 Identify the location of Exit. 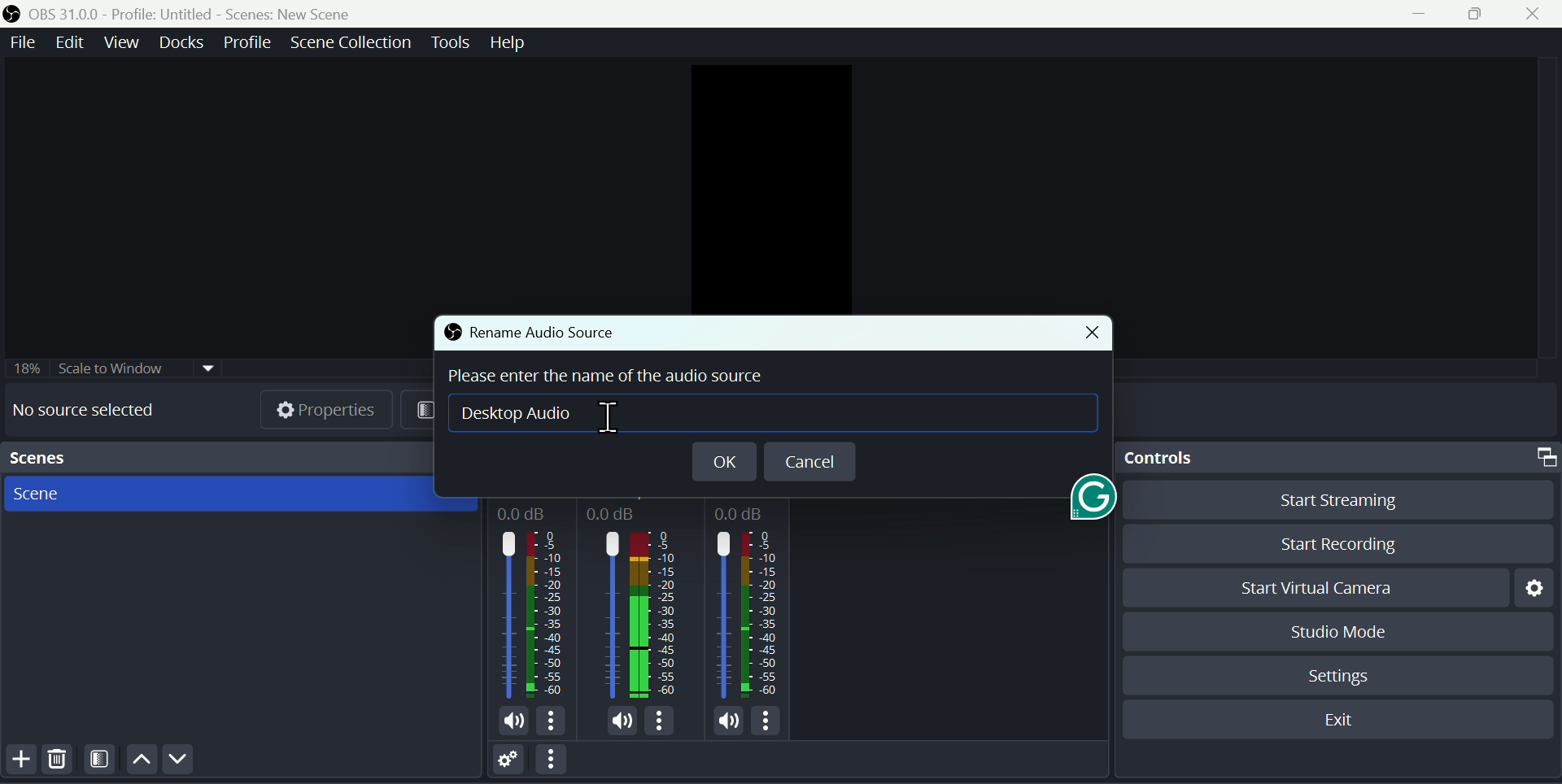
(1341, 717).